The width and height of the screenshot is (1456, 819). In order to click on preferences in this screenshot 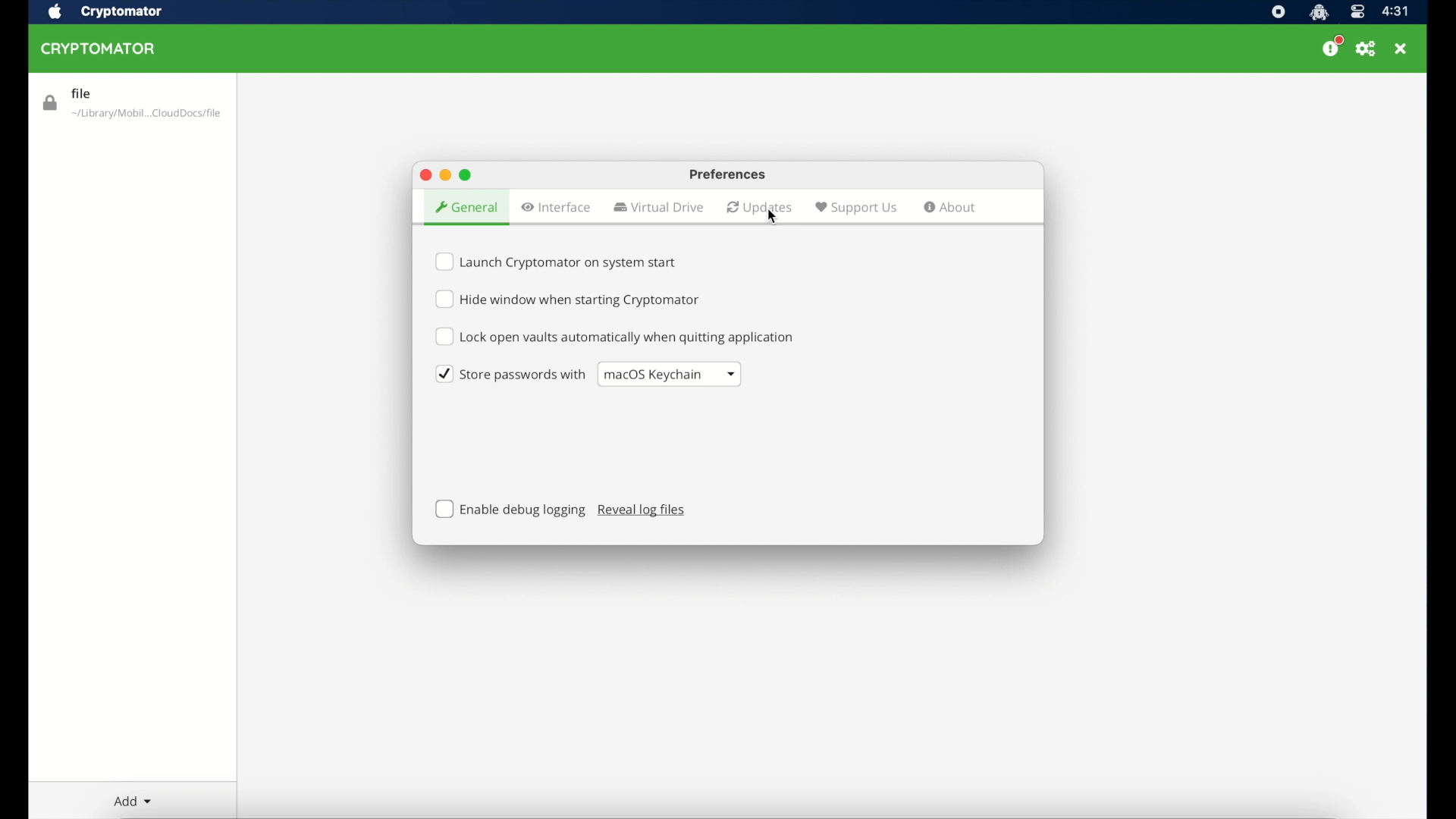, I will do `click(1367, 49)`.